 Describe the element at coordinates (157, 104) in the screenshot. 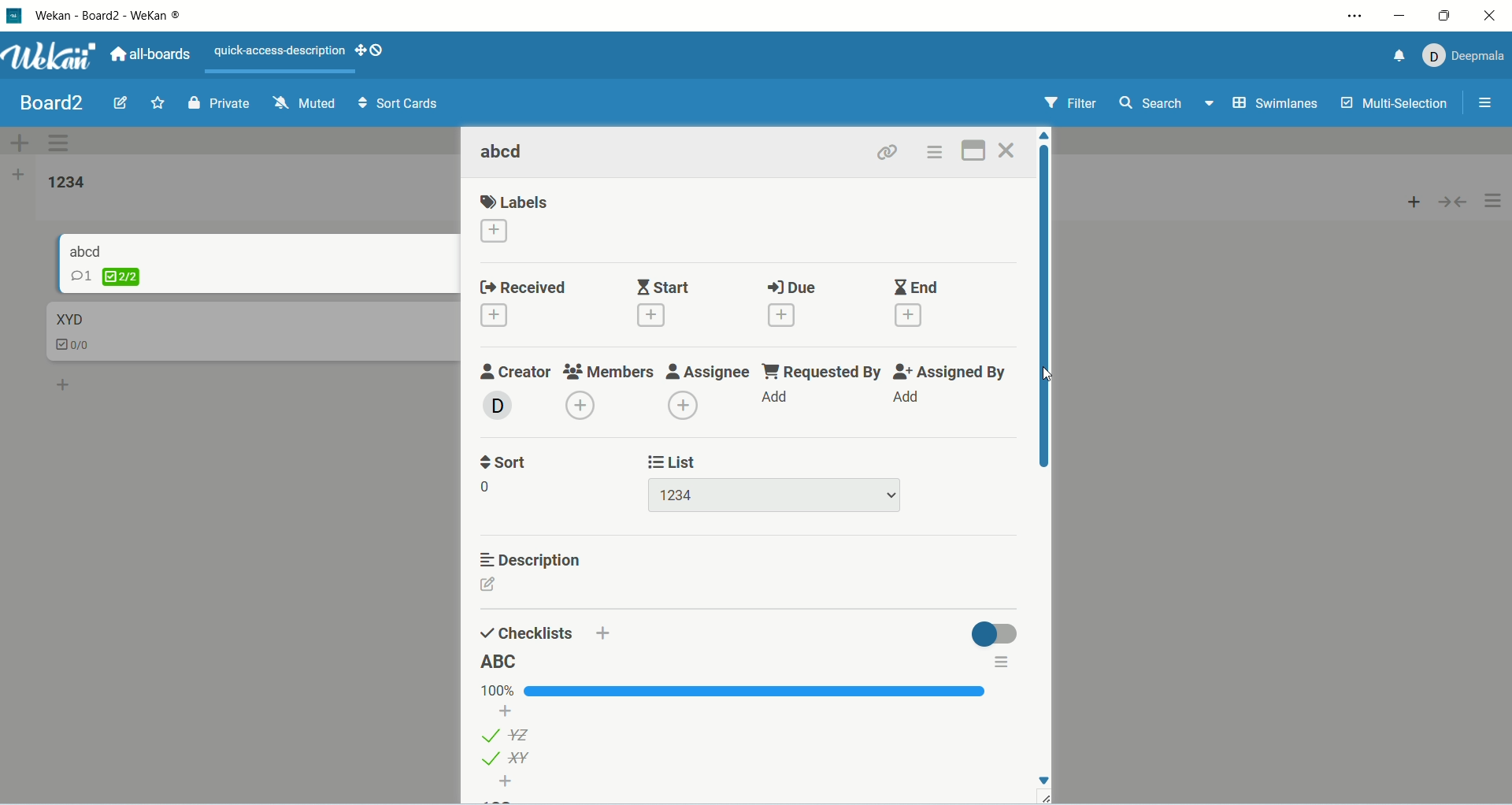

I see `favorite` at that location.